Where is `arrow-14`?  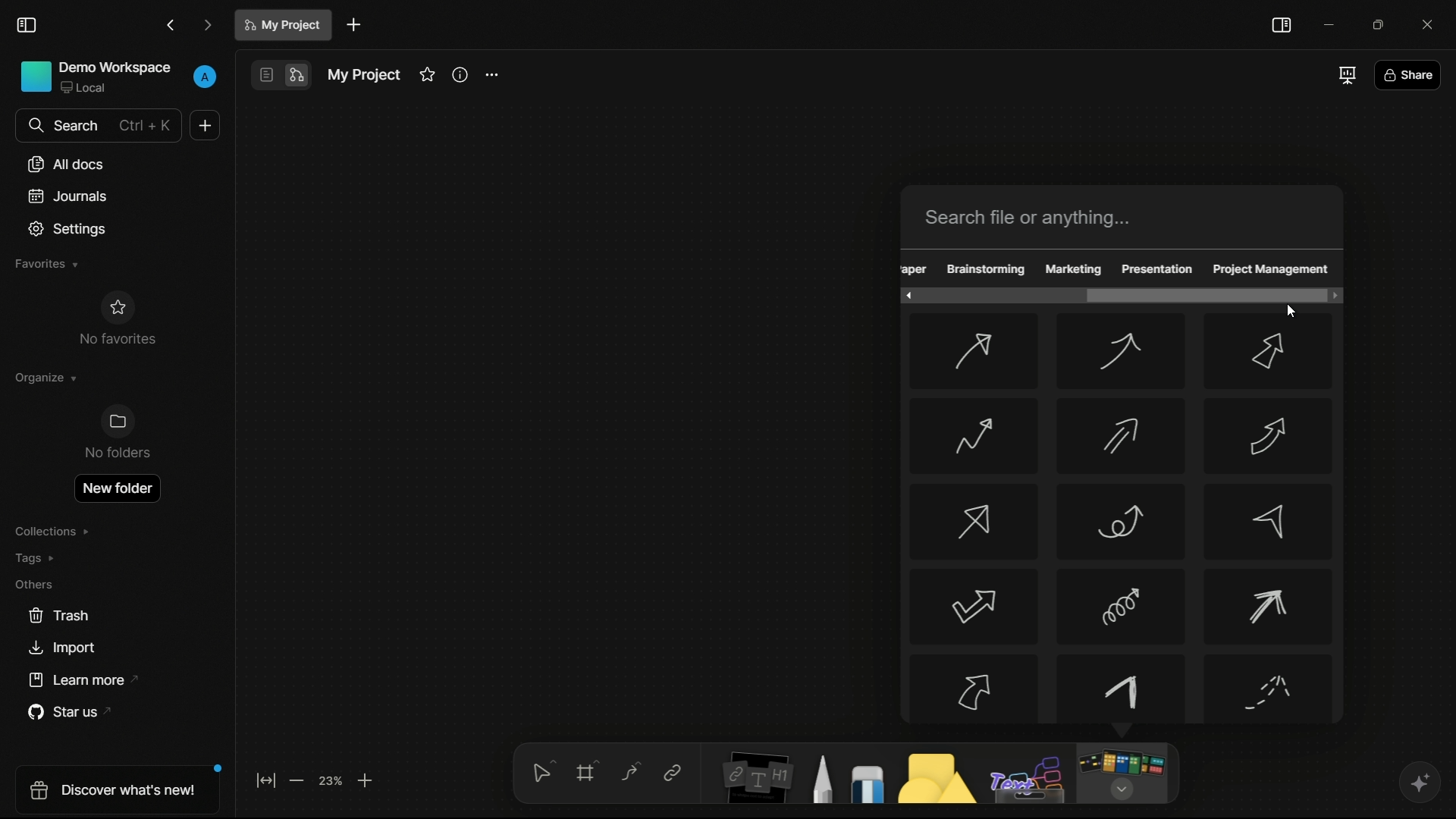 arrow-14 is located at coordinates (1122, 689).